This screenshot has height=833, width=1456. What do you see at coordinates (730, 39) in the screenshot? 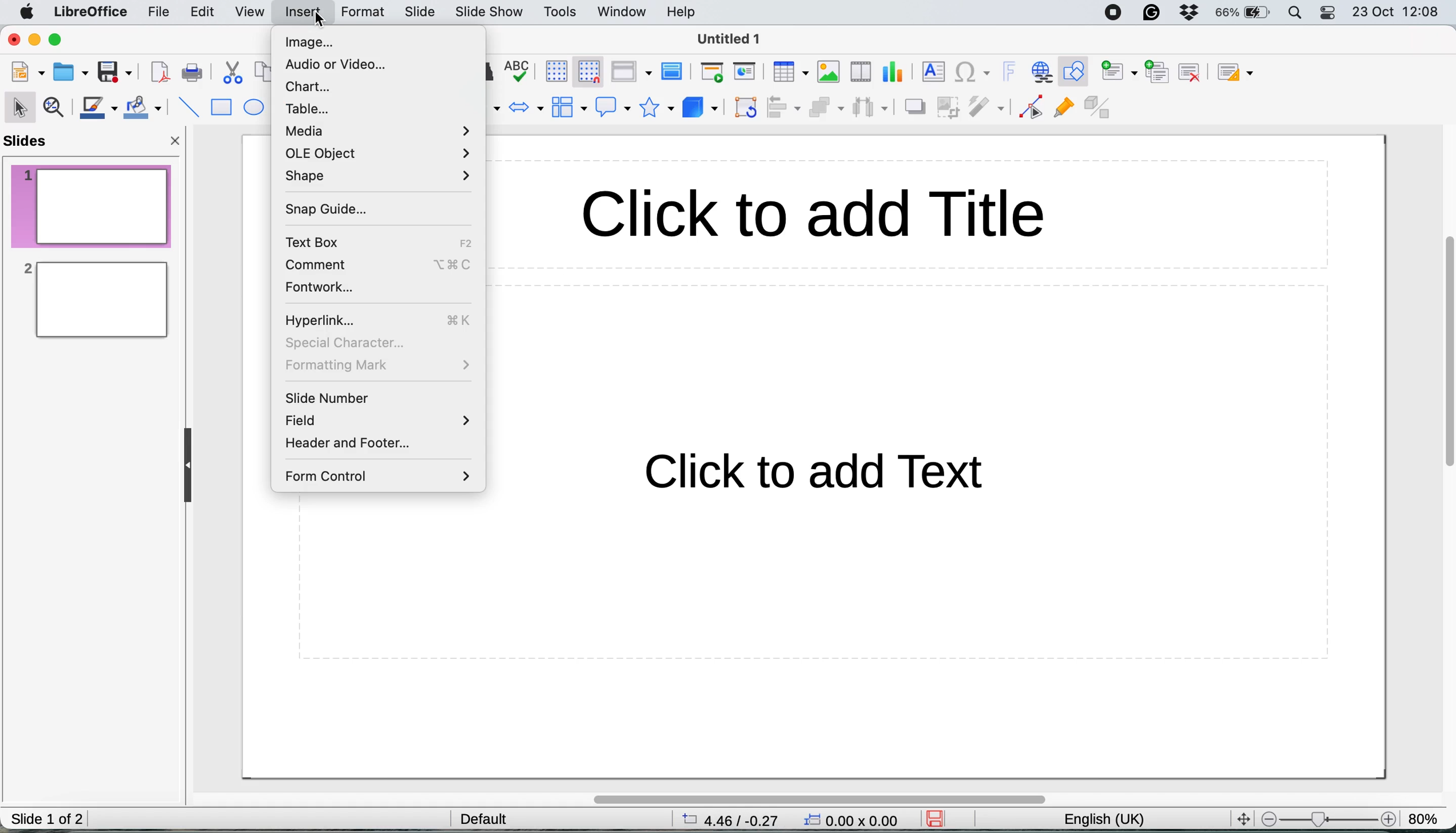
I see `Untitled 1` at bounding box center [730, 39].